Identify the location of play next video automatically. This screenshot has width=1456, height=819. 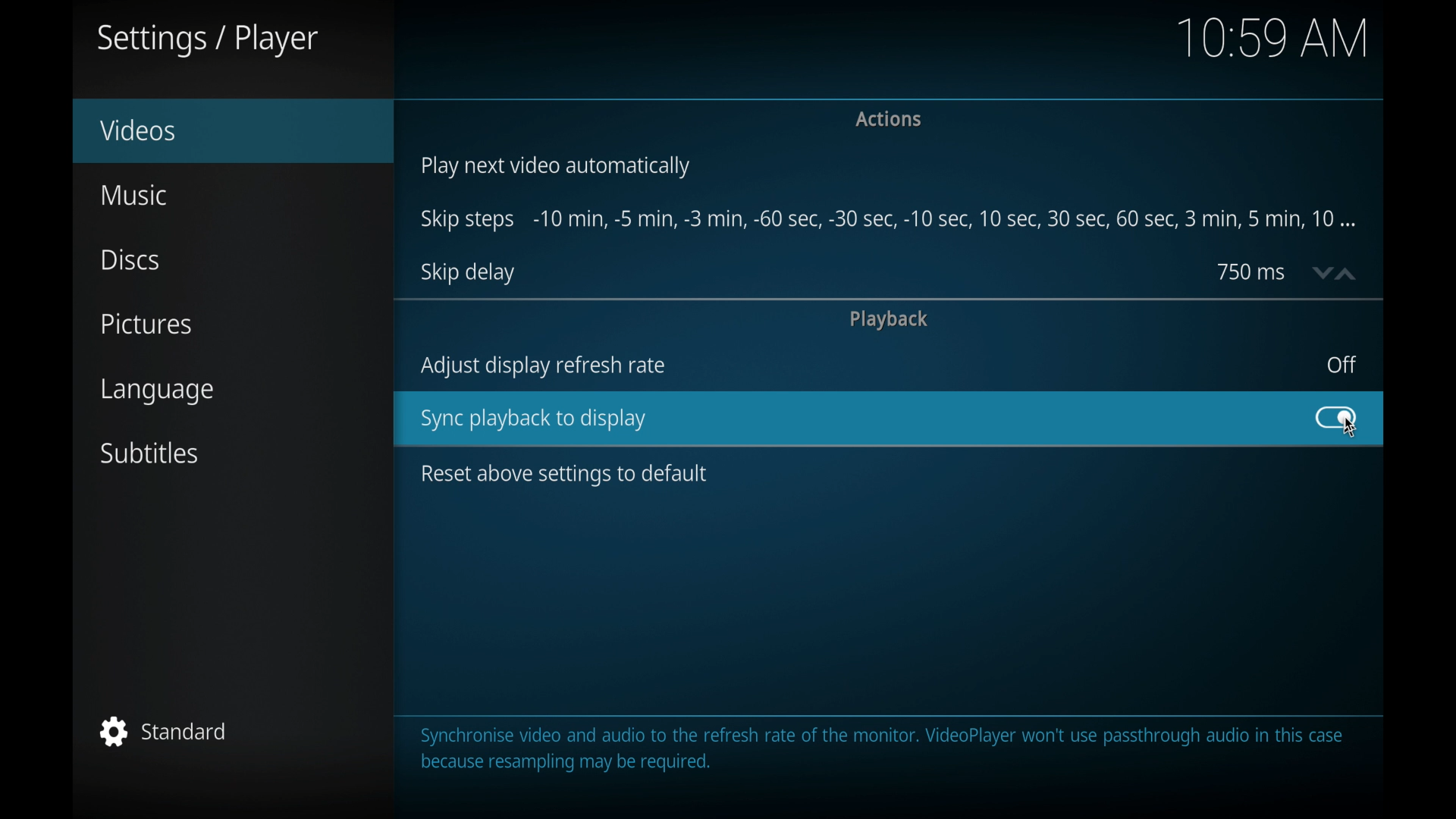
(557, 167).